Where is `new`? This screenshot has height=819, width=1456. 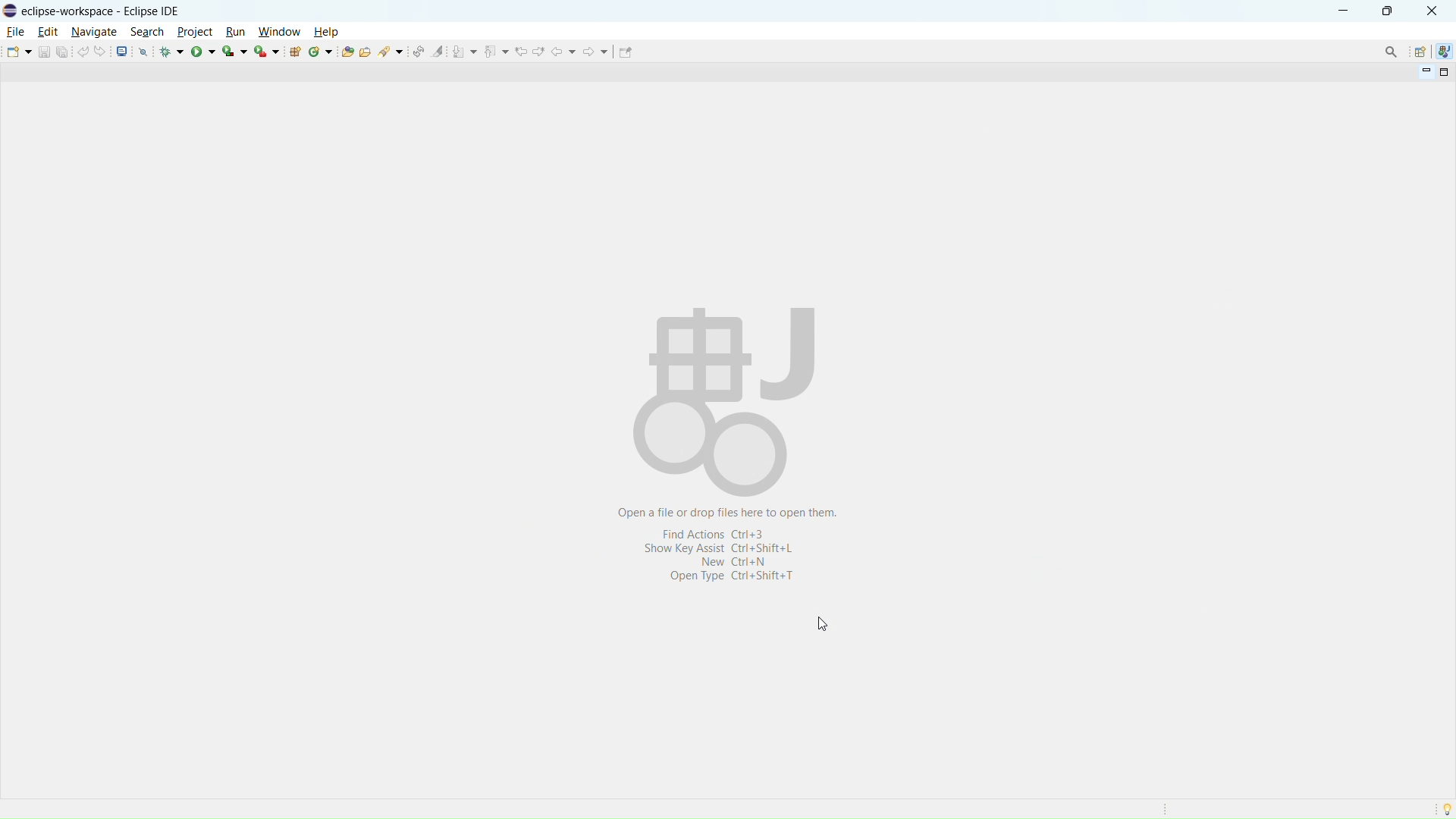 new is located at coordinates (19, 52).